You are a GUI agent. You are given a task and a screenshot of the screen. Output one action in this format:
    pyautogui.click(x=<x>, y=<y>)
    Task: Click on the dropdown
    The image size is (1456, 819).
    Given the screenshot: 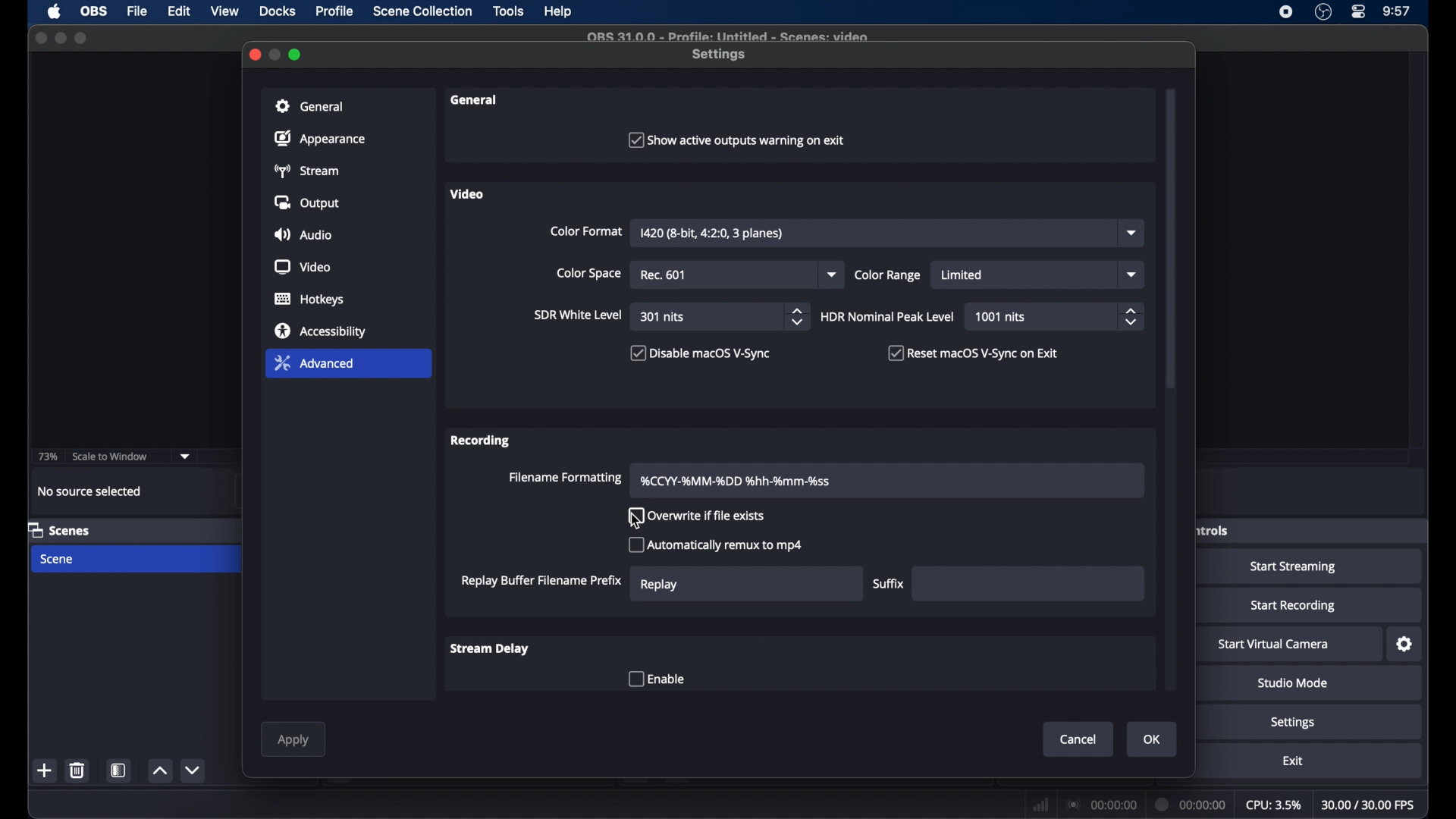 What is the action you would take?
    pyautogui.click(x=833, y=275)
    